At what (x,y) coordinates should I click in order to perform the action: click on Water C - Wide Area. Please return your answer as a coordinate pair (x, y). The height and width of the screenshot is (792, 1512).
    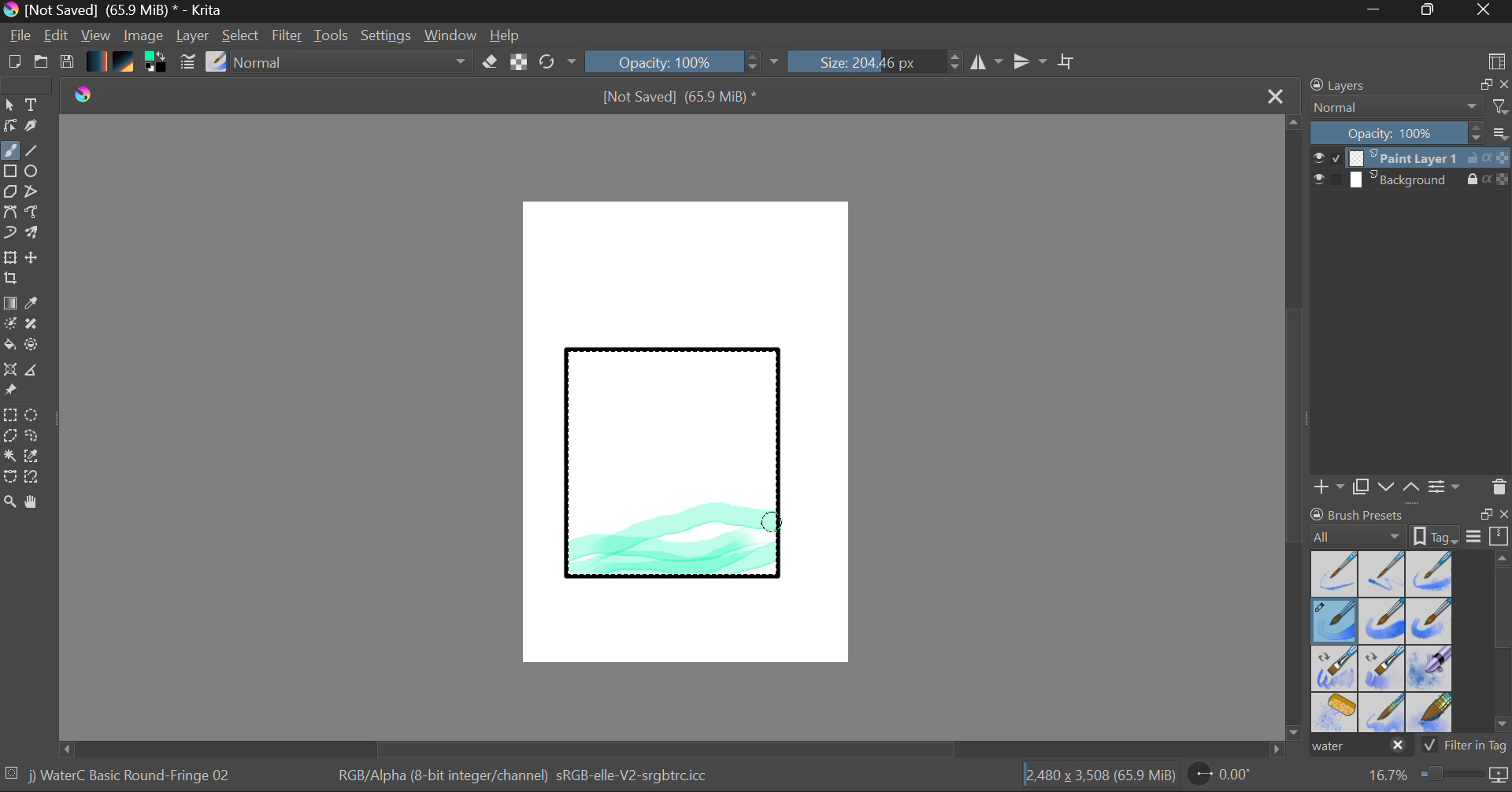
    Looking at the image, I should click on (1432, 713).